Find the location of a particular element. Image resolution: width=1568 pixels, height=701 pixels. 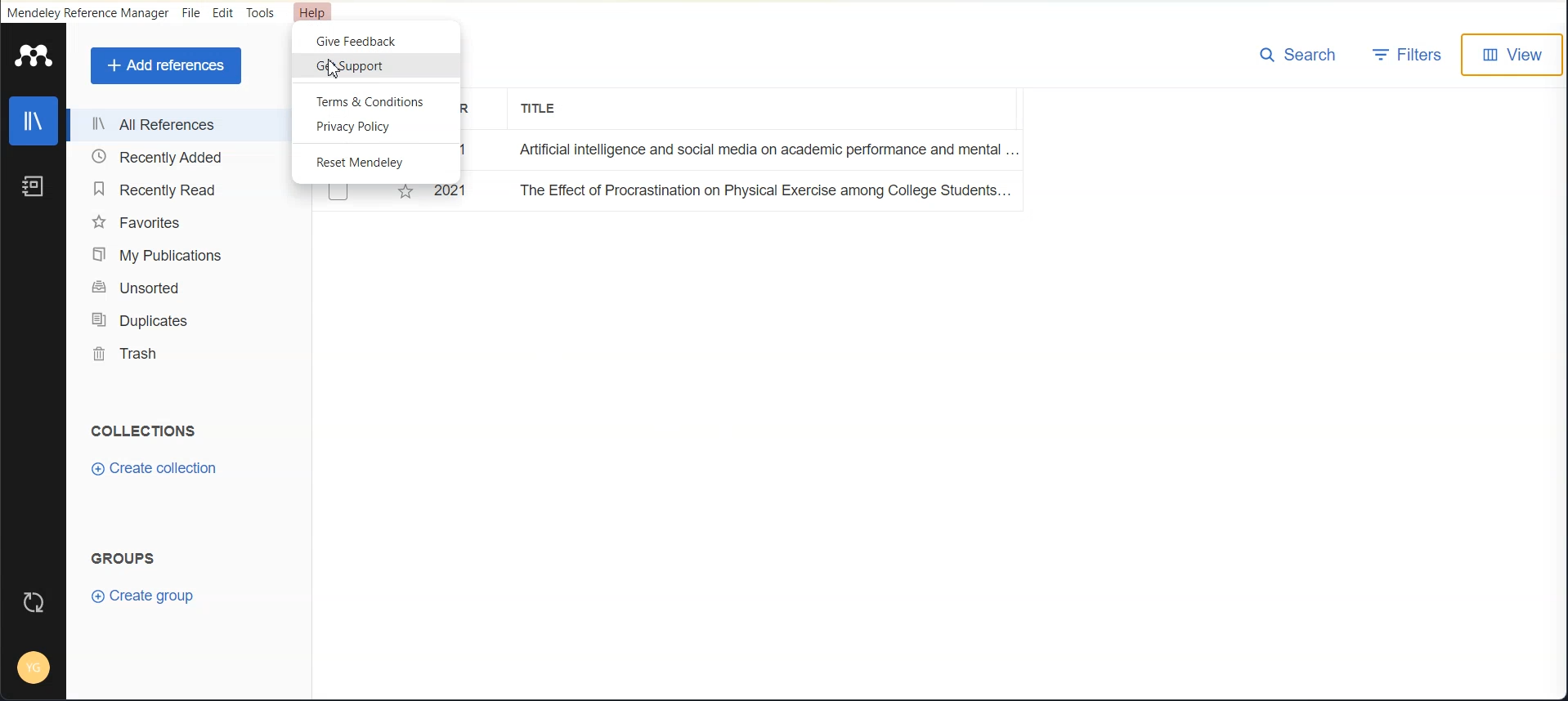

Filters is located at coordinates (1409, 55).